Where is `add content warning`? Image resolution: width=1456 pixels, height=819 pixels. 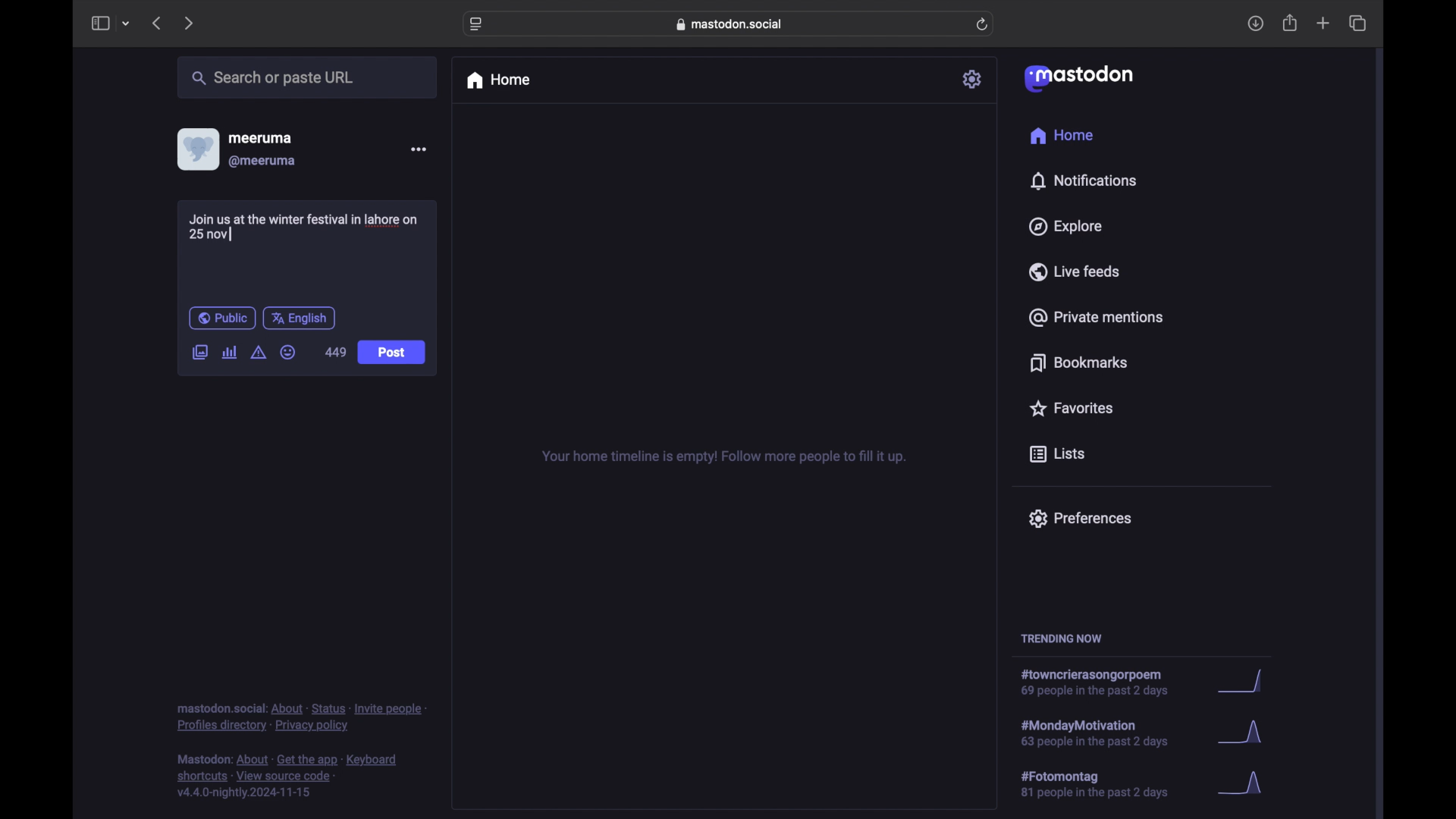 add content warning is located at coordinates (258, 353).